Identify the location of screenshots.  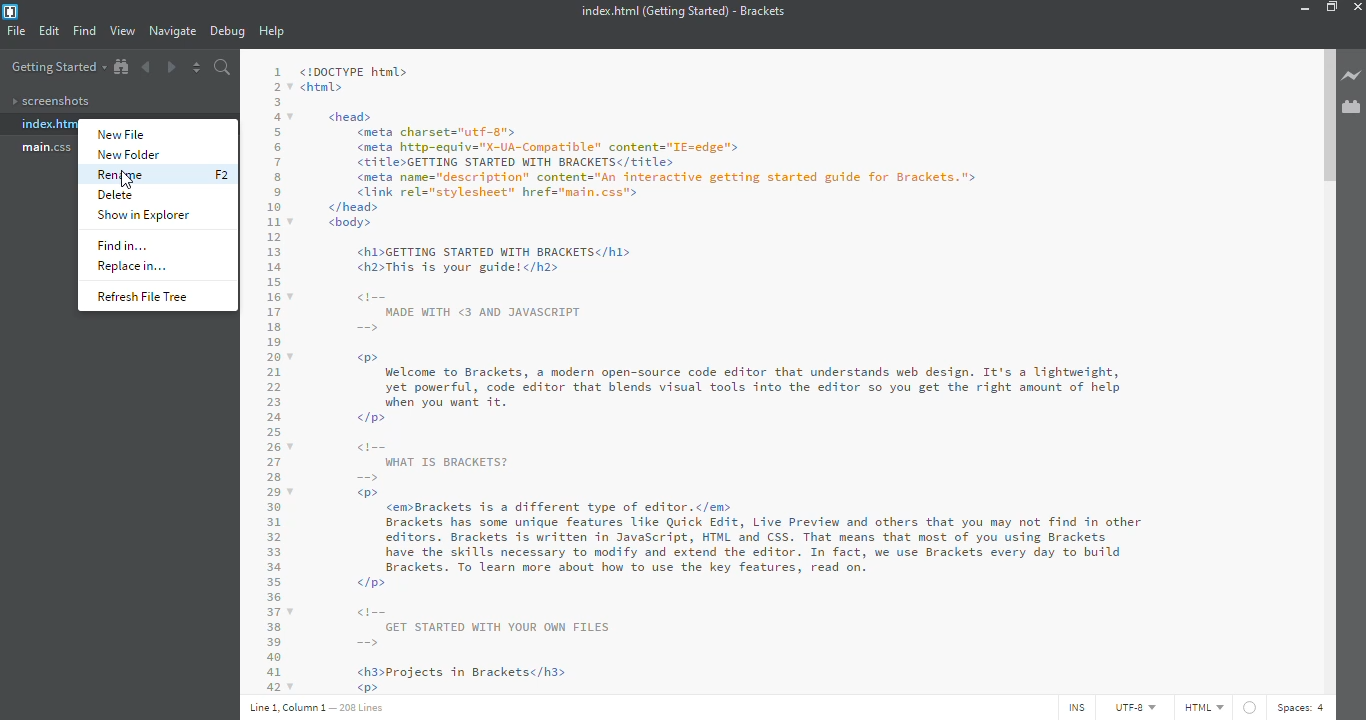
(55, 102).